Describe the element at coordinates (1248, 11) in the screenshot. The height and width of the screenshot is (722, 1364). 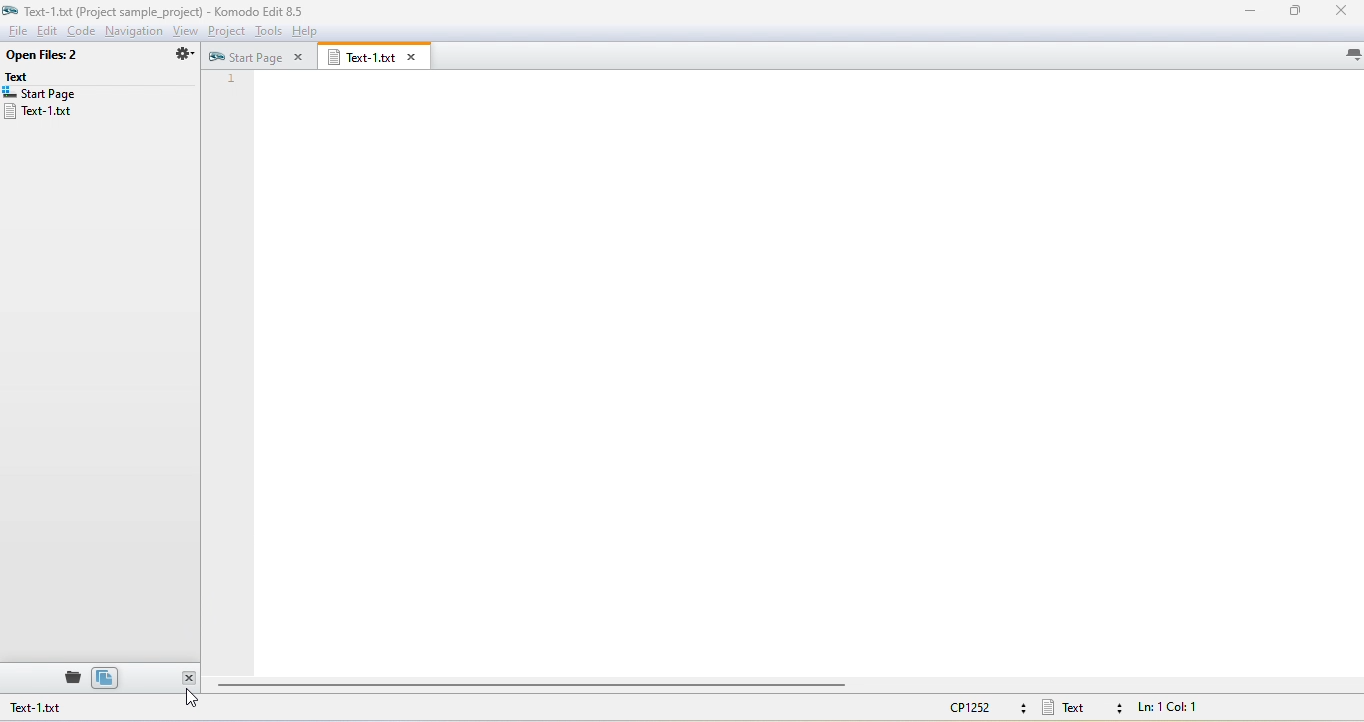
I see `minimize` at that location.